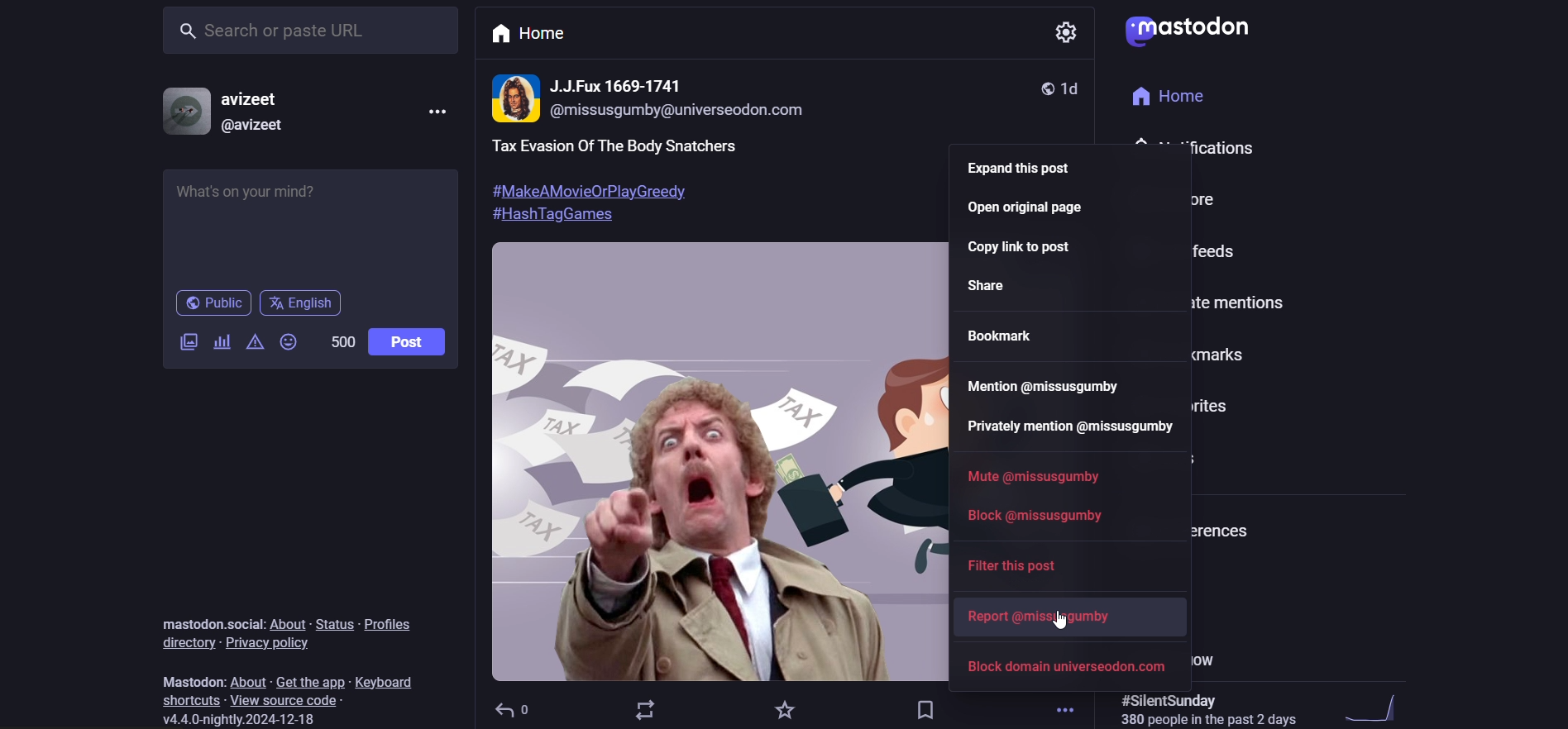  What do you see at coordinates (643, 712) in the screenshot?
I see `boost` at bounding box center [643, 712].